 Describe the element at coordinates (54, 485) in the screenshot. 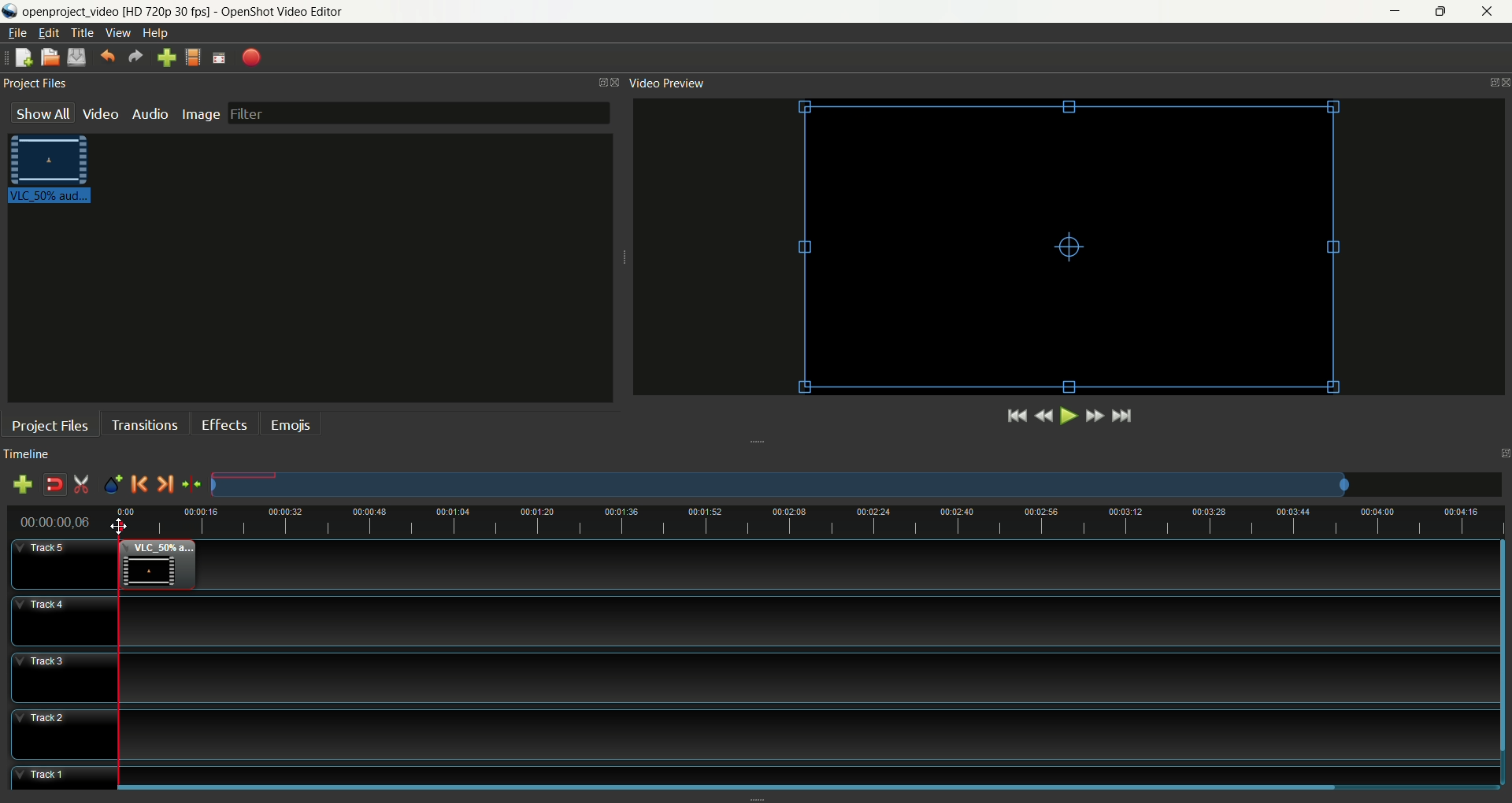

I see `disable snapping` at that location.